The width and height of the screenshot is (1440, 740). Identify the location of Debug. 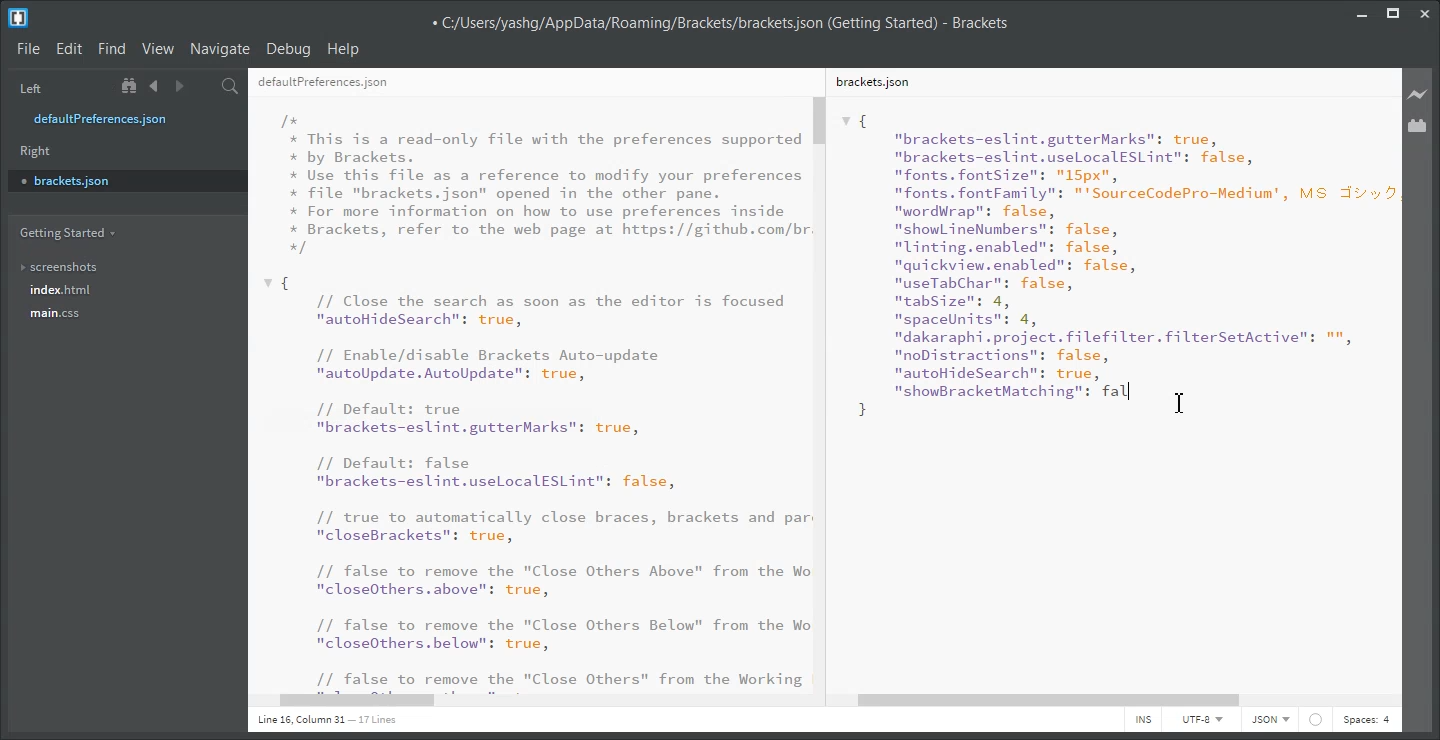
(289, 50).